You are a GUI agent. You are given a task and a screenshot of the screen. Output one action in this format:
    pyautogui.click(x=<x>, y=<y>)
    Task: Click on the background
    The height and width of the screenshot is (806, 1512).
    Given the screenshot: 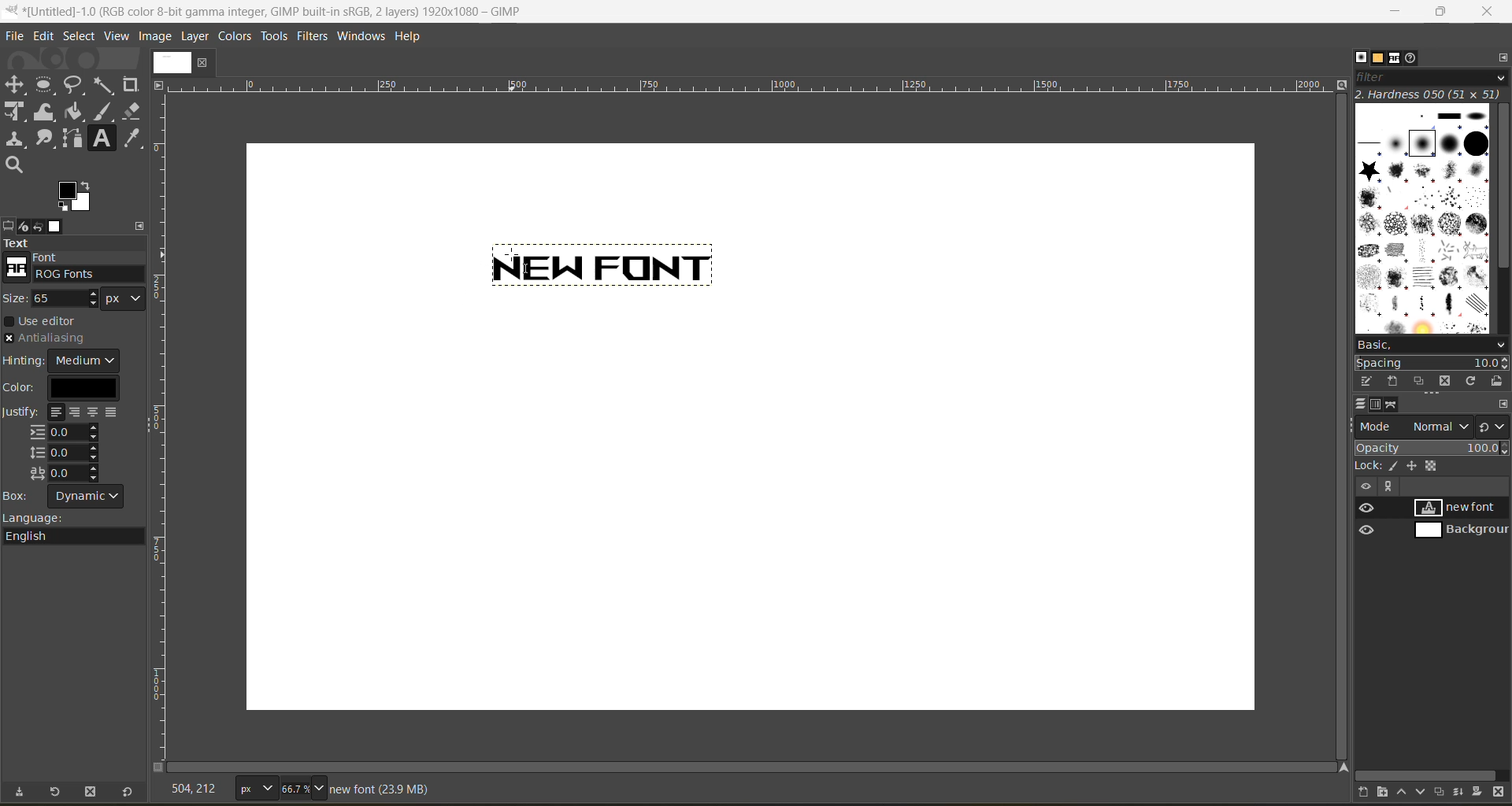 What is the action you would take?
    pyautogui.click(x=1459, y=531)
    